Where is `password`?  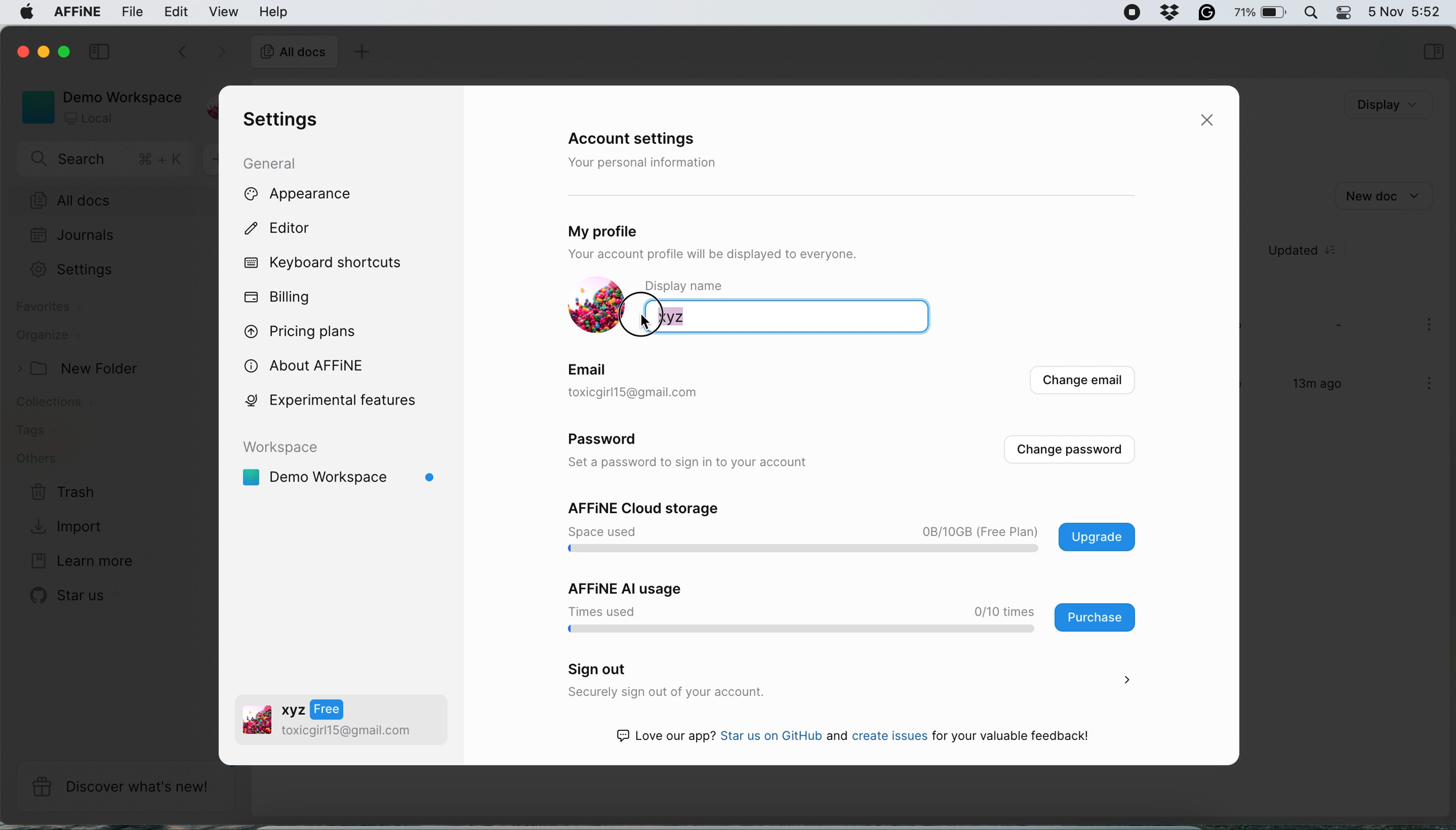 password is located at coordinates (610, 442).